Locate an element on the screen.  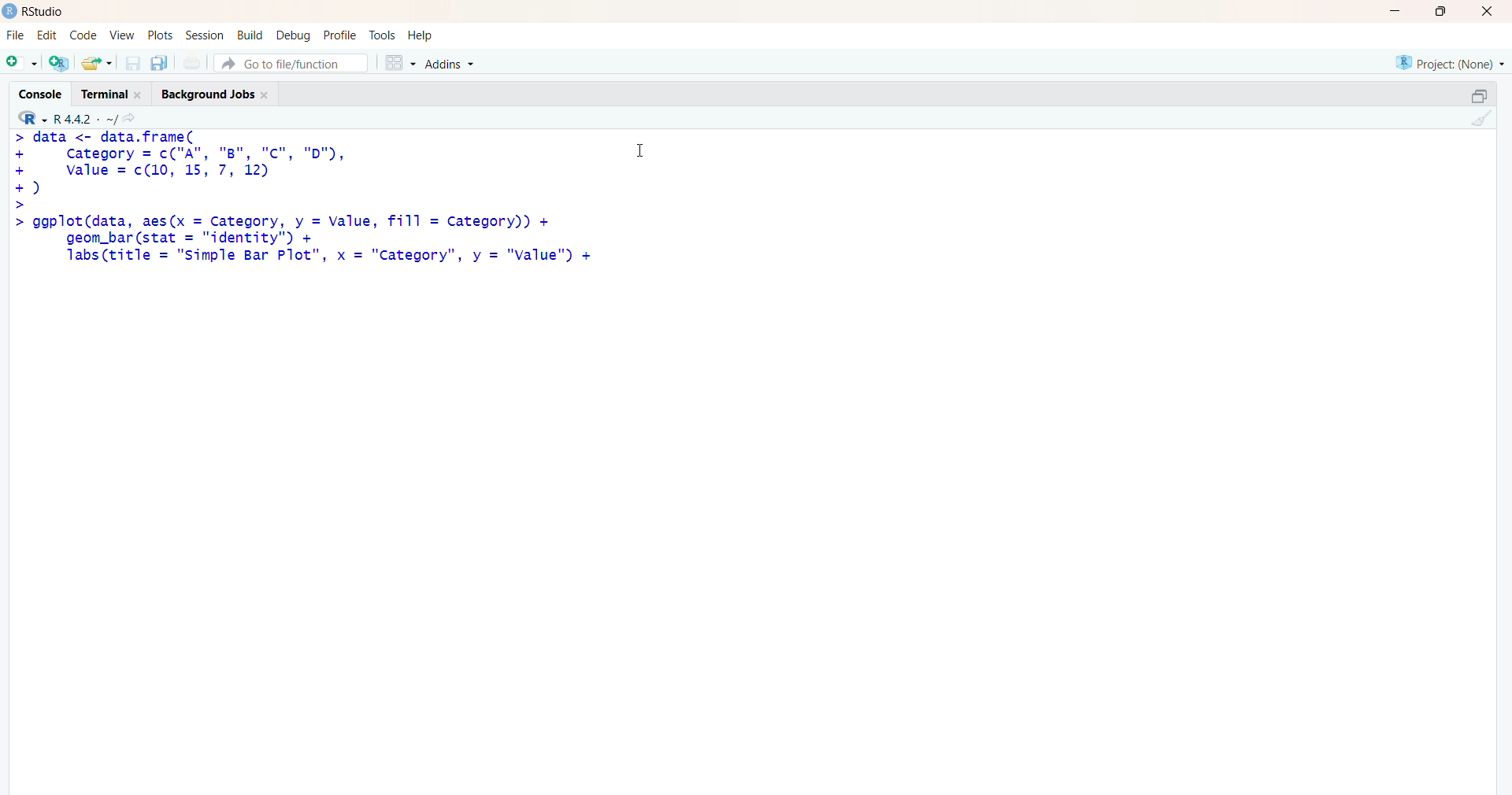
# Go to file/function is located at coordinates (291, 63).